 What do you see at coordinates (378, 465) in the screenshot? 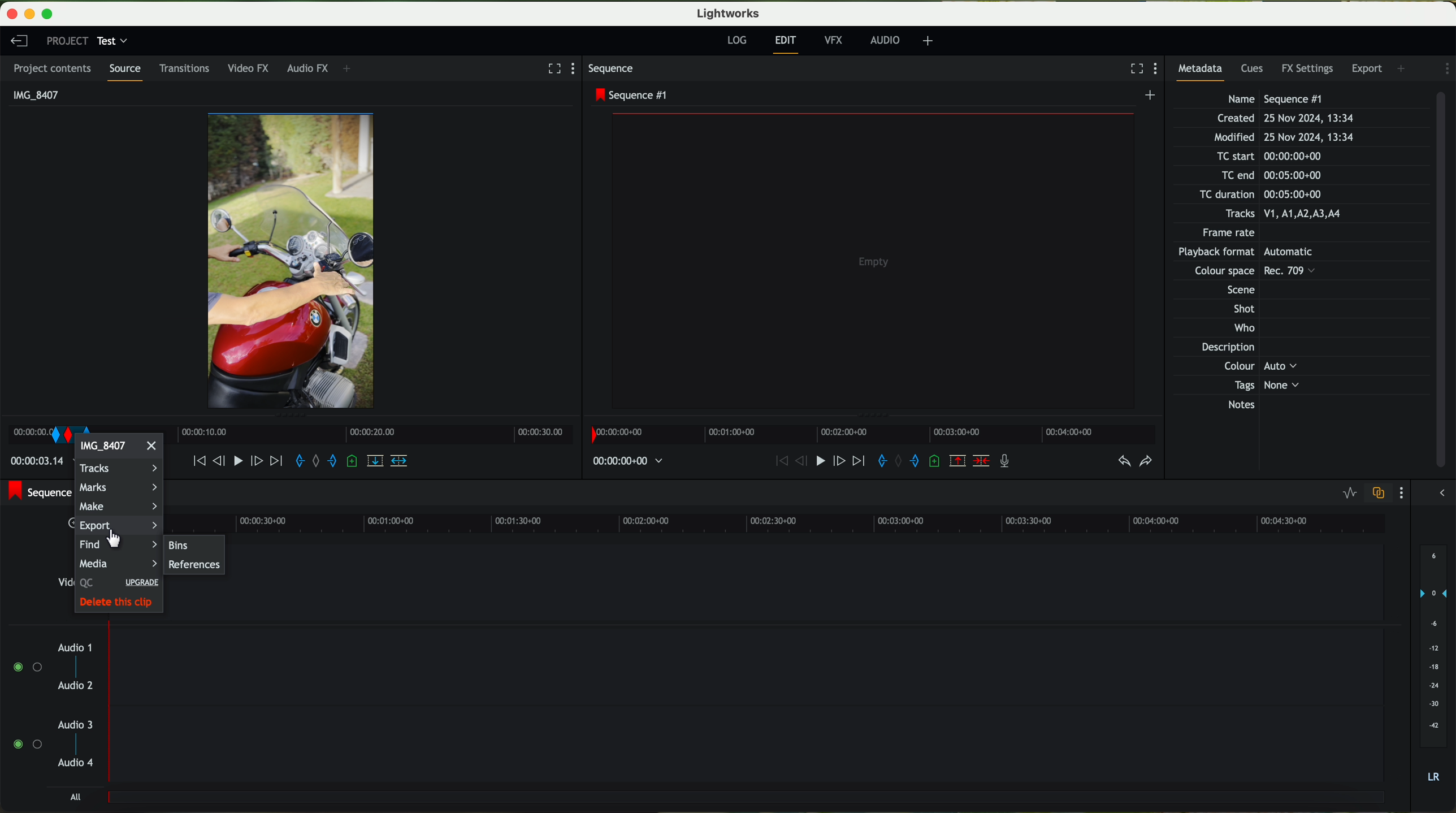
I see `replace into the target sequence` at bounding box center [378, 465].